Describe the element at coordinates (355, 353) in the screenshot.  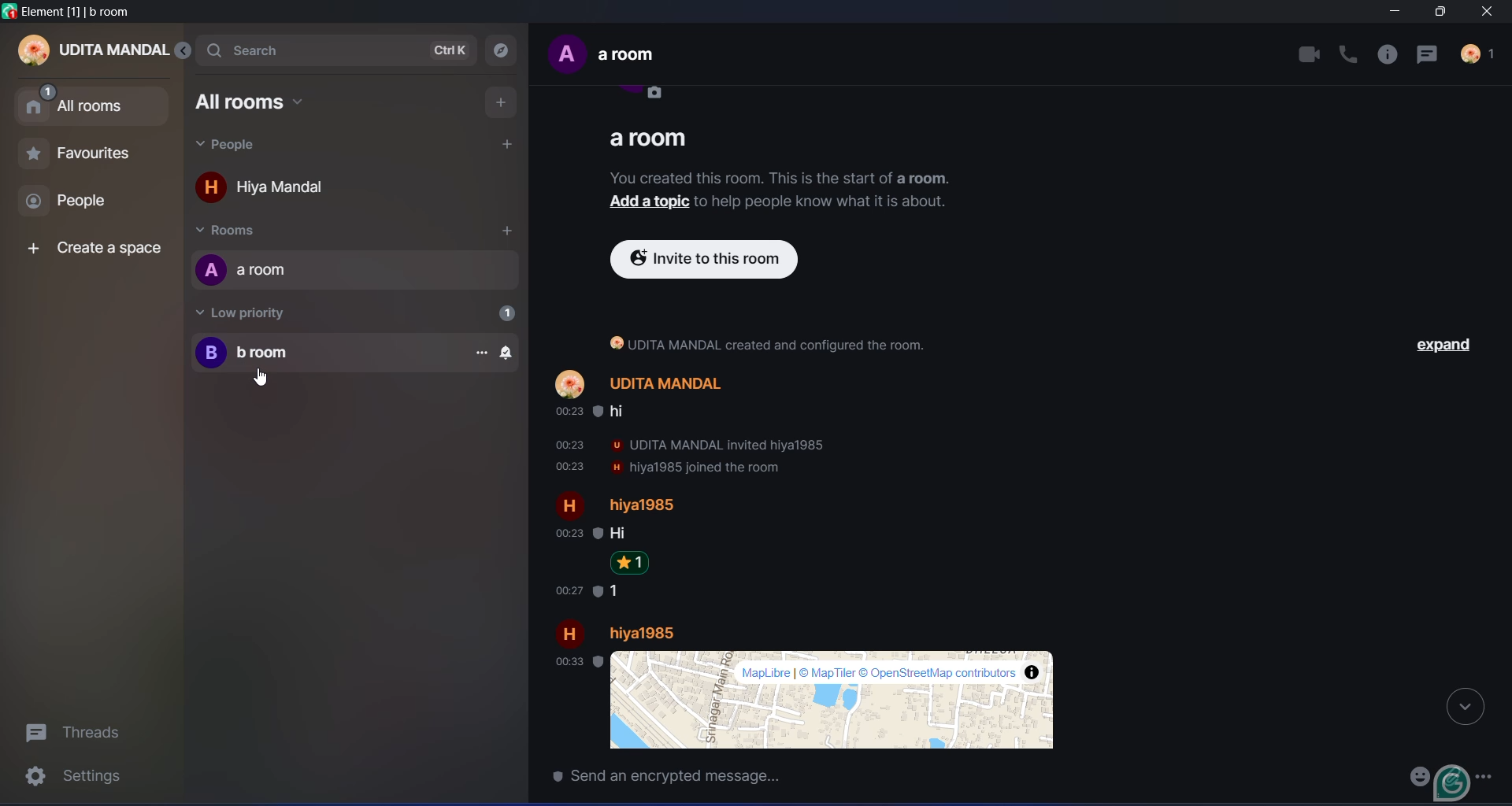
I see `B broom 1` at that location.